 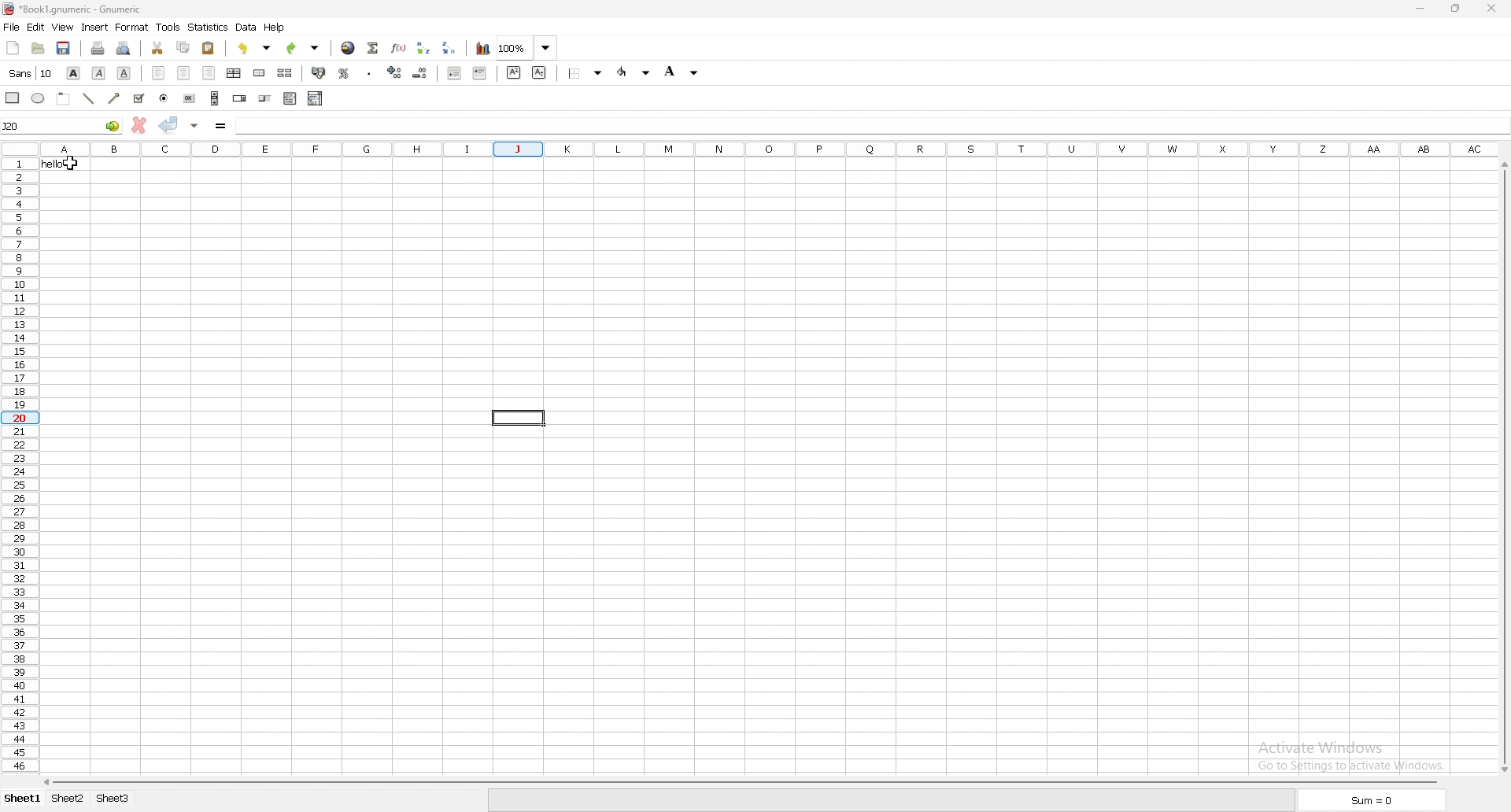 I want to click on cell input, so click(x=867, y=124).